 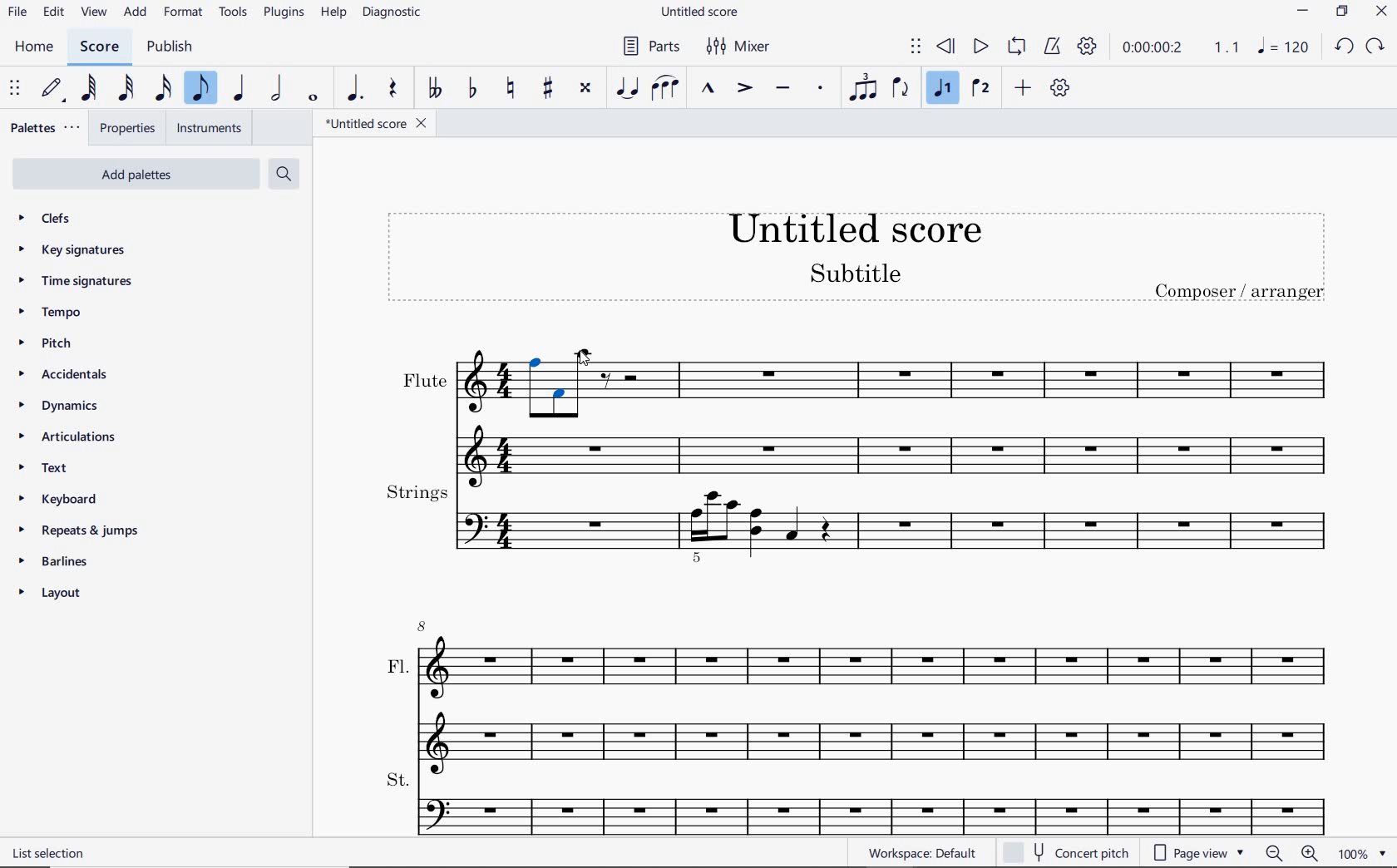 I want to click on PLAY, so click(x=980, y=46).